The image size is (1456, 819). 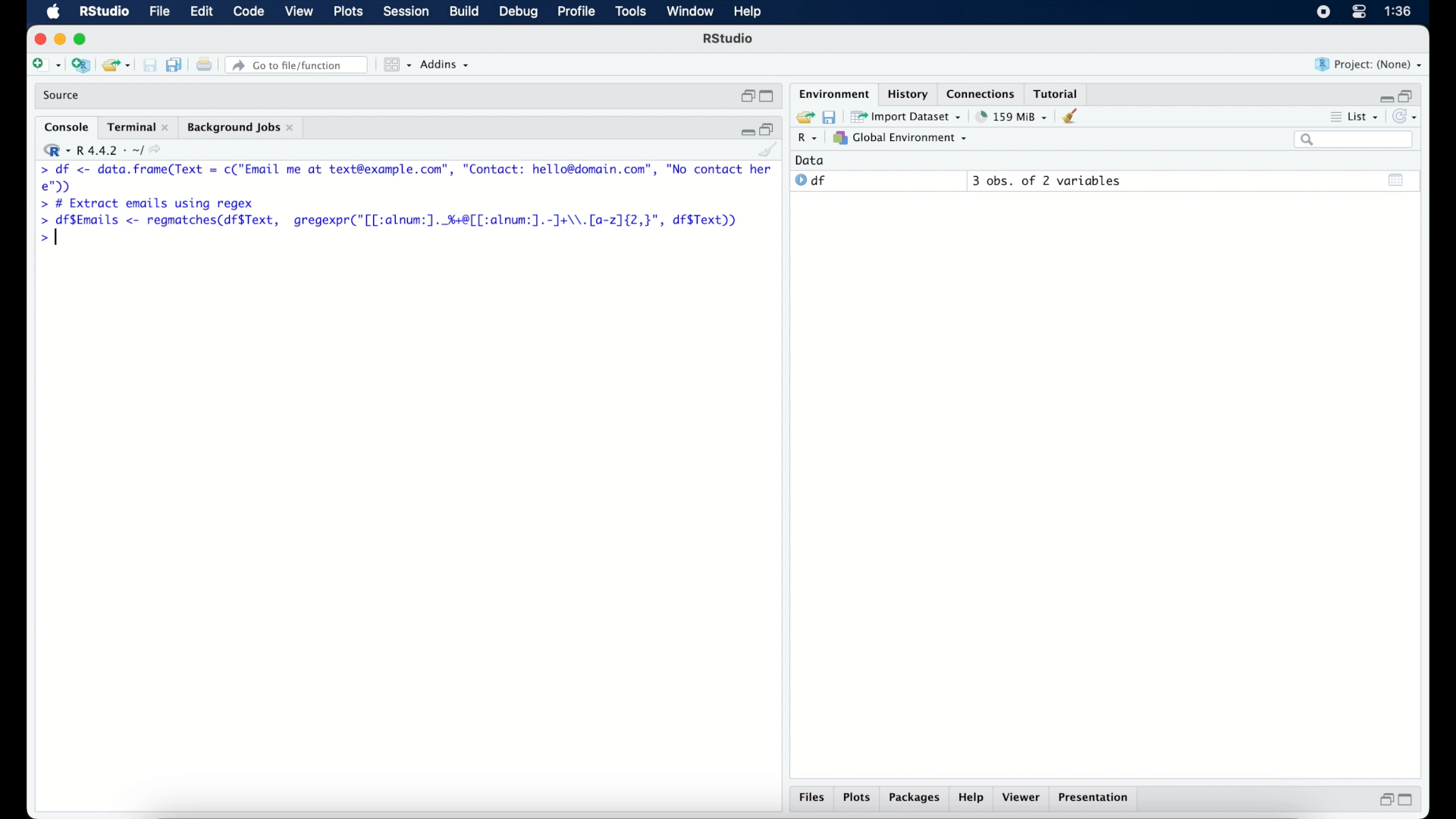 I want to click on view in panes, so click(x=396, y=65).